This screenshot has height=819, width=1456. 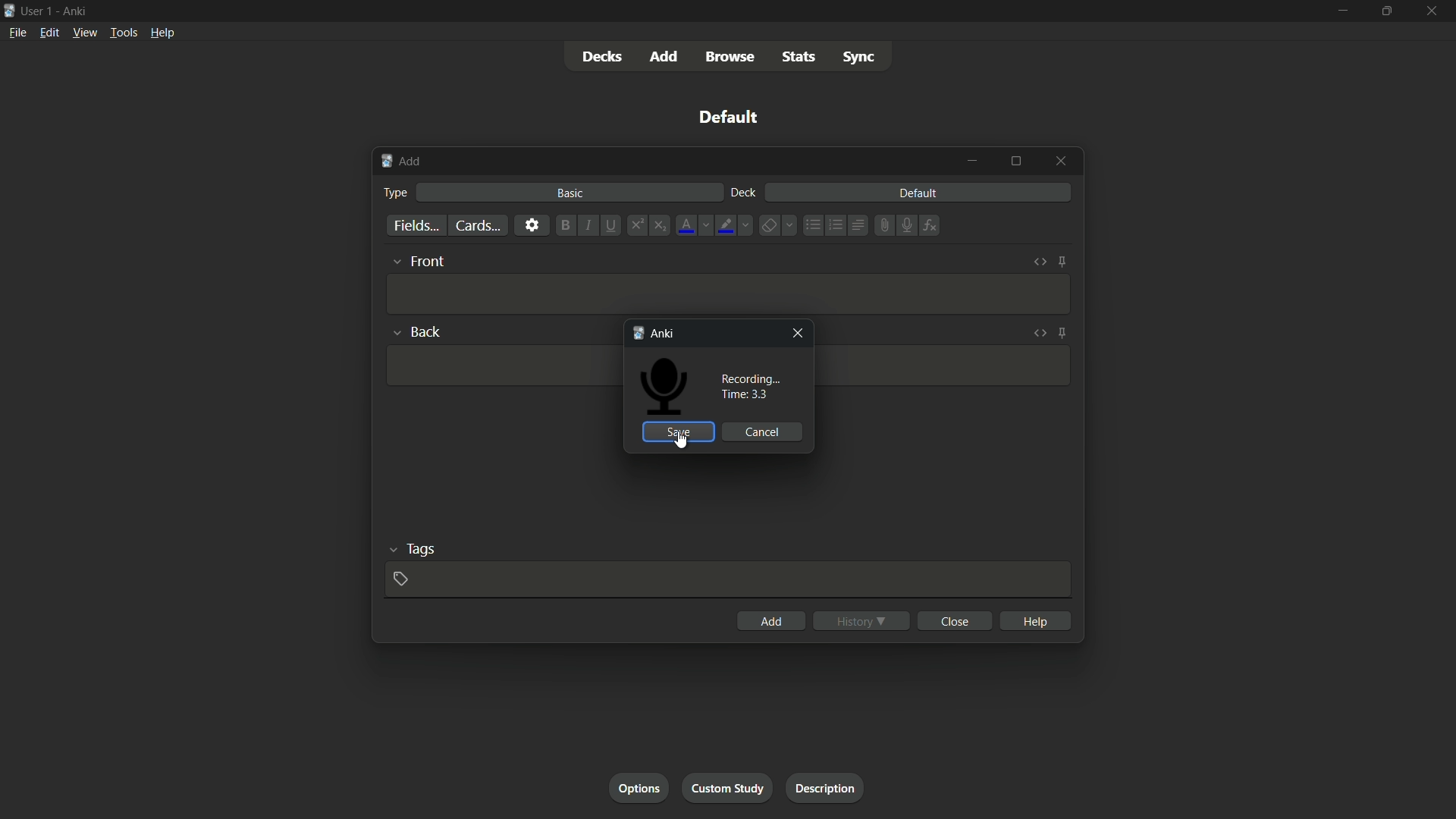 What do you see at coordinates (602, 57) in the screenshot?
I see `decks` at bounding box center [602, 57].